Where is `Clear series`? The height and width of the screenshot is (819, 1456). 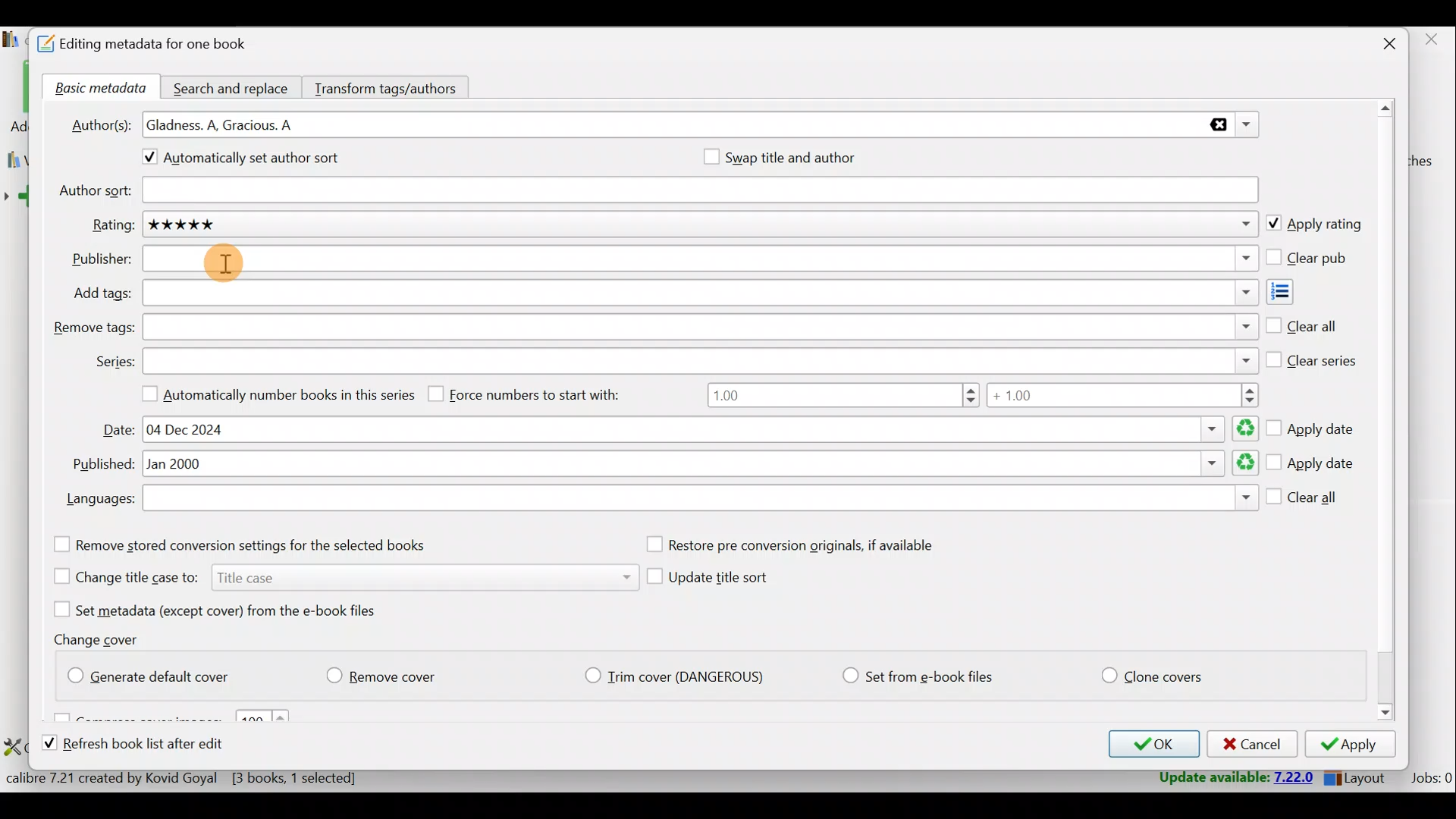
Clear series is located at coordinates (1313, 357).